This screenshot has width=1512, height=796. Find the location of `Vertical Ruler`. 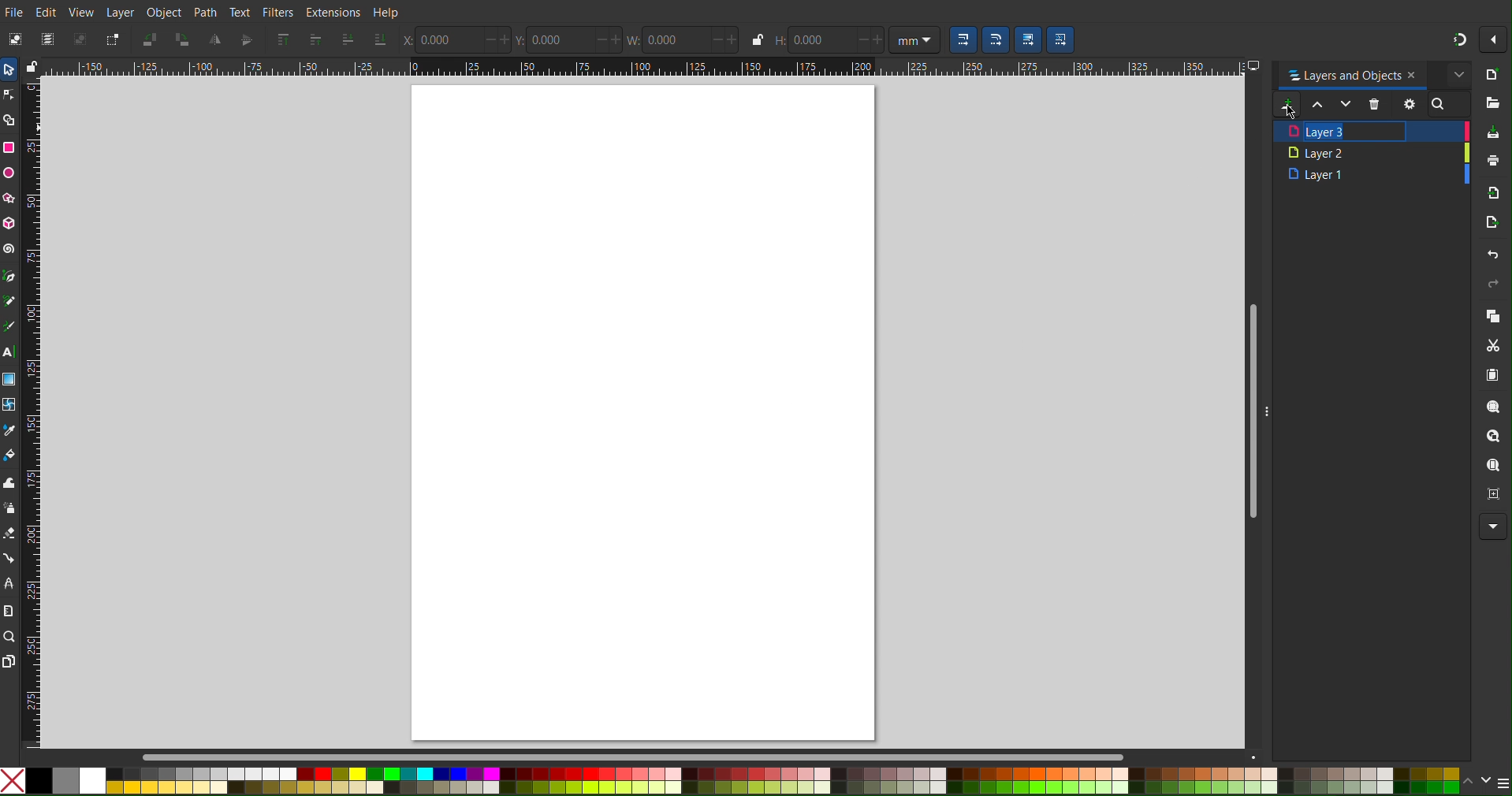

Vertical Ruler is located at coordinates (36, 415).